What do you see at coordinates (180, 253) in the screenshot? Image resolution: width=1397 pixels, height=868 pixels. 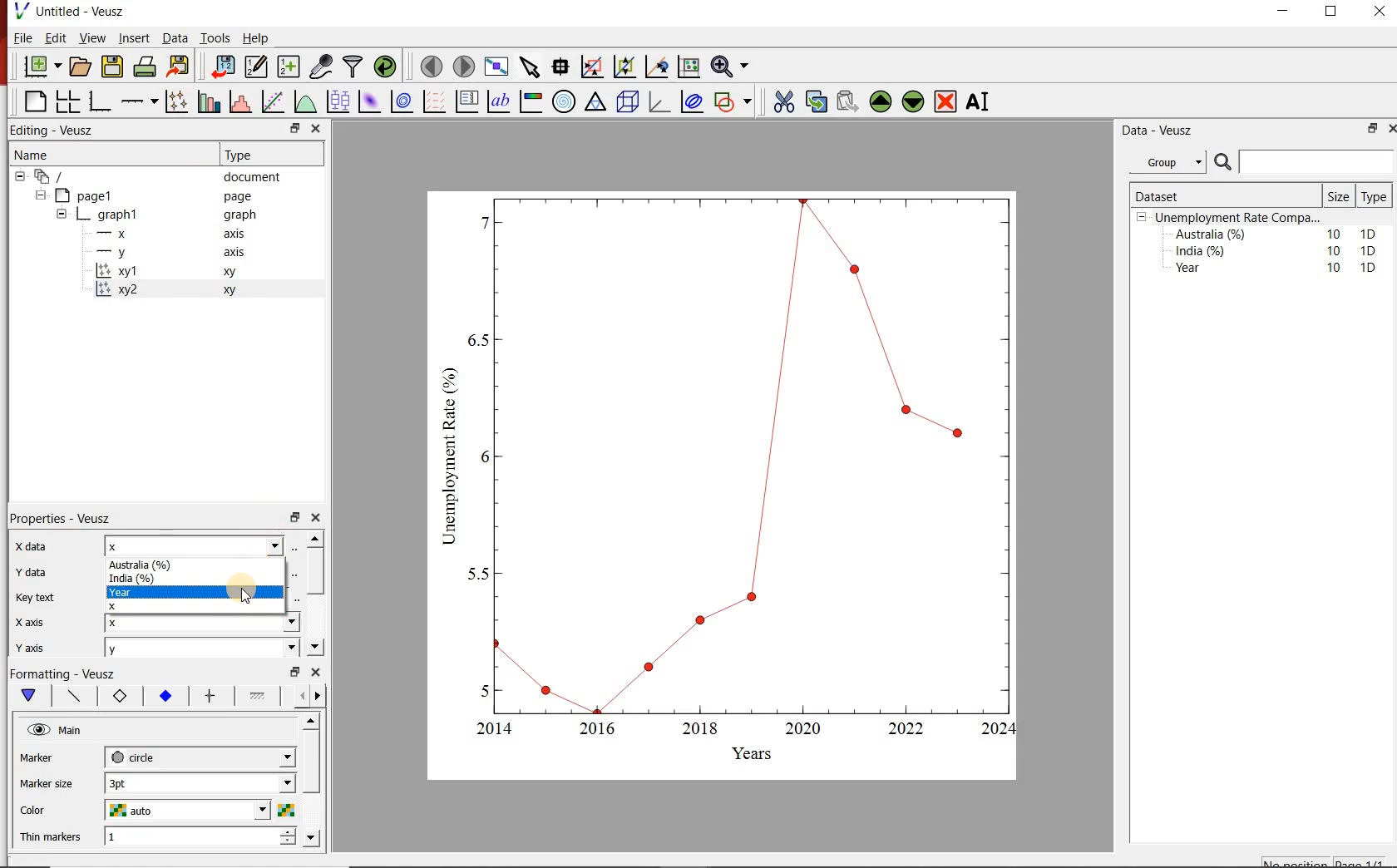 I see `y axis` at bounding box center [180, 253].